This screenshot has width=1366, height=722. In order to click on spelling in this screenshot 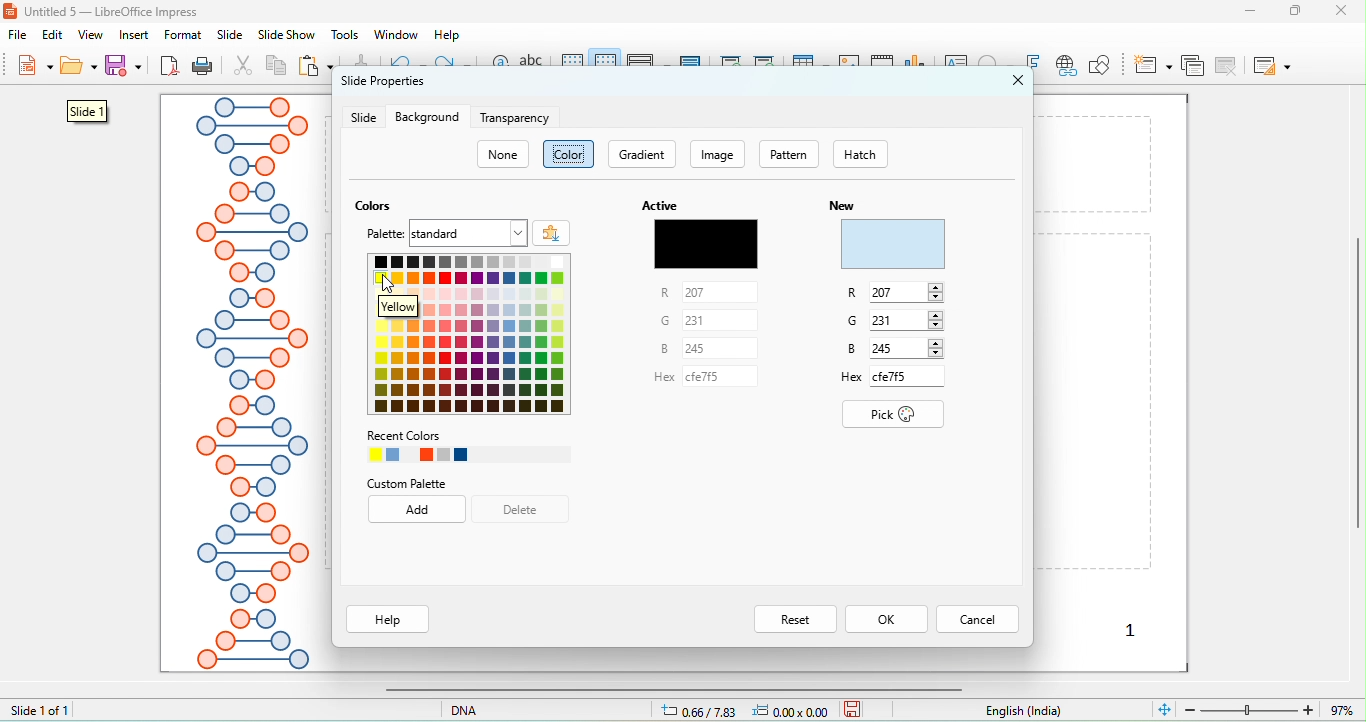, I will do `click(535, 67)`.